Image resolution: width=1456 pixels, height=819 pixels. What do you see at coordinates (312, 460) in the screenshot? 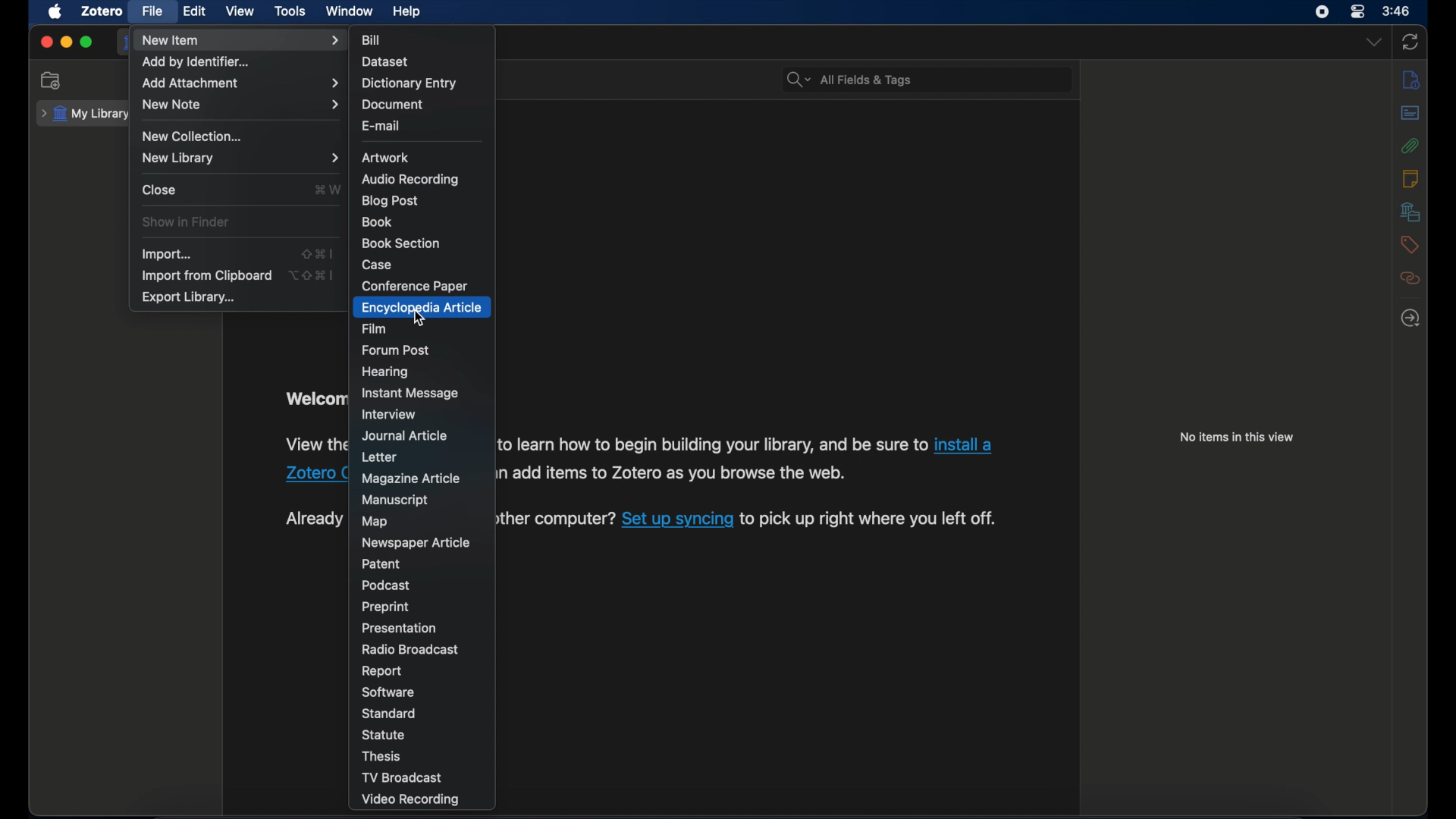
I see `installation instruction` at bounding box center [312, 460].